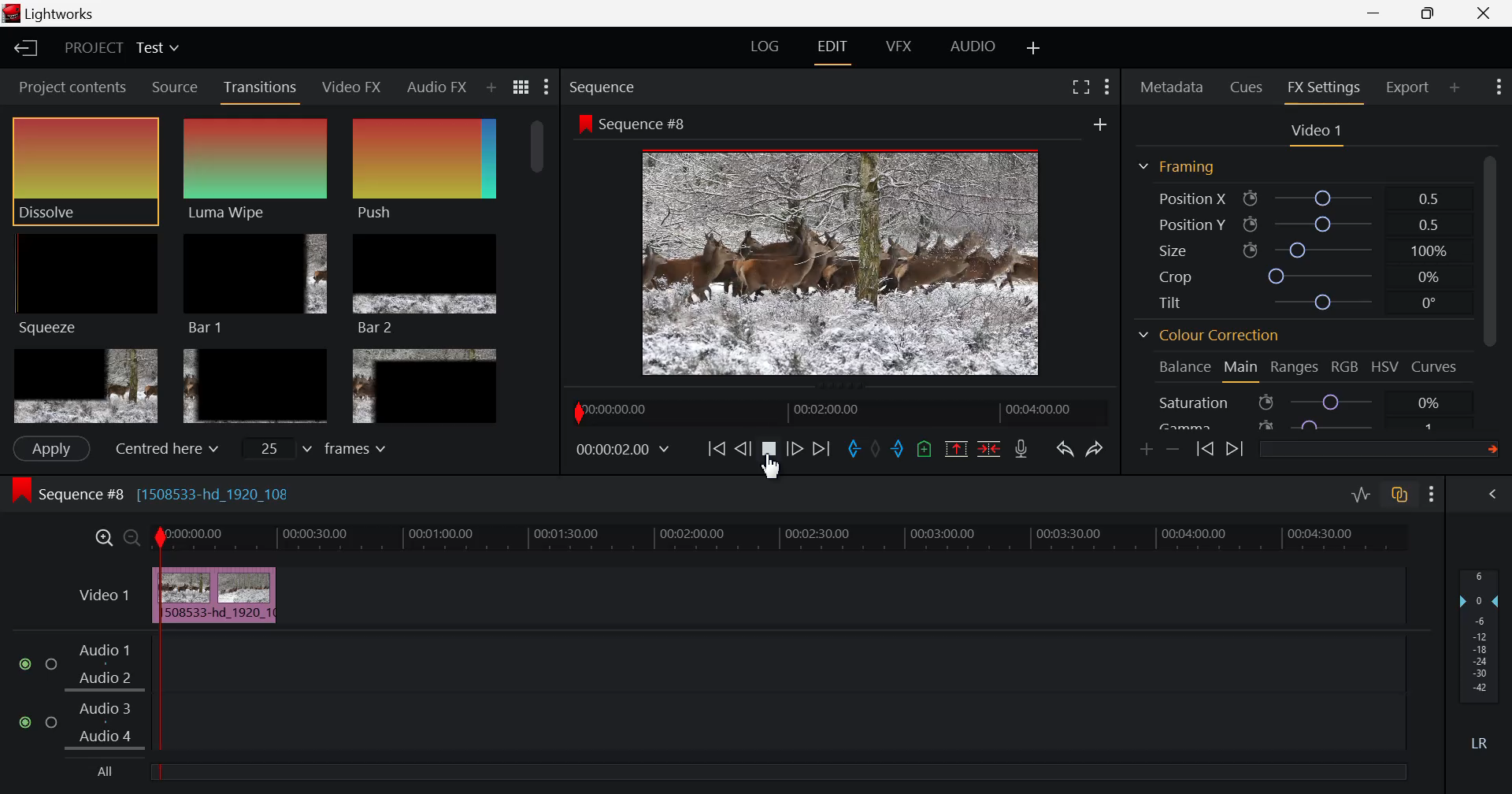  What do you see at coordinates (255, 285) in the screenshot?
I see `Bar 1` at bounding box center [255, 285].